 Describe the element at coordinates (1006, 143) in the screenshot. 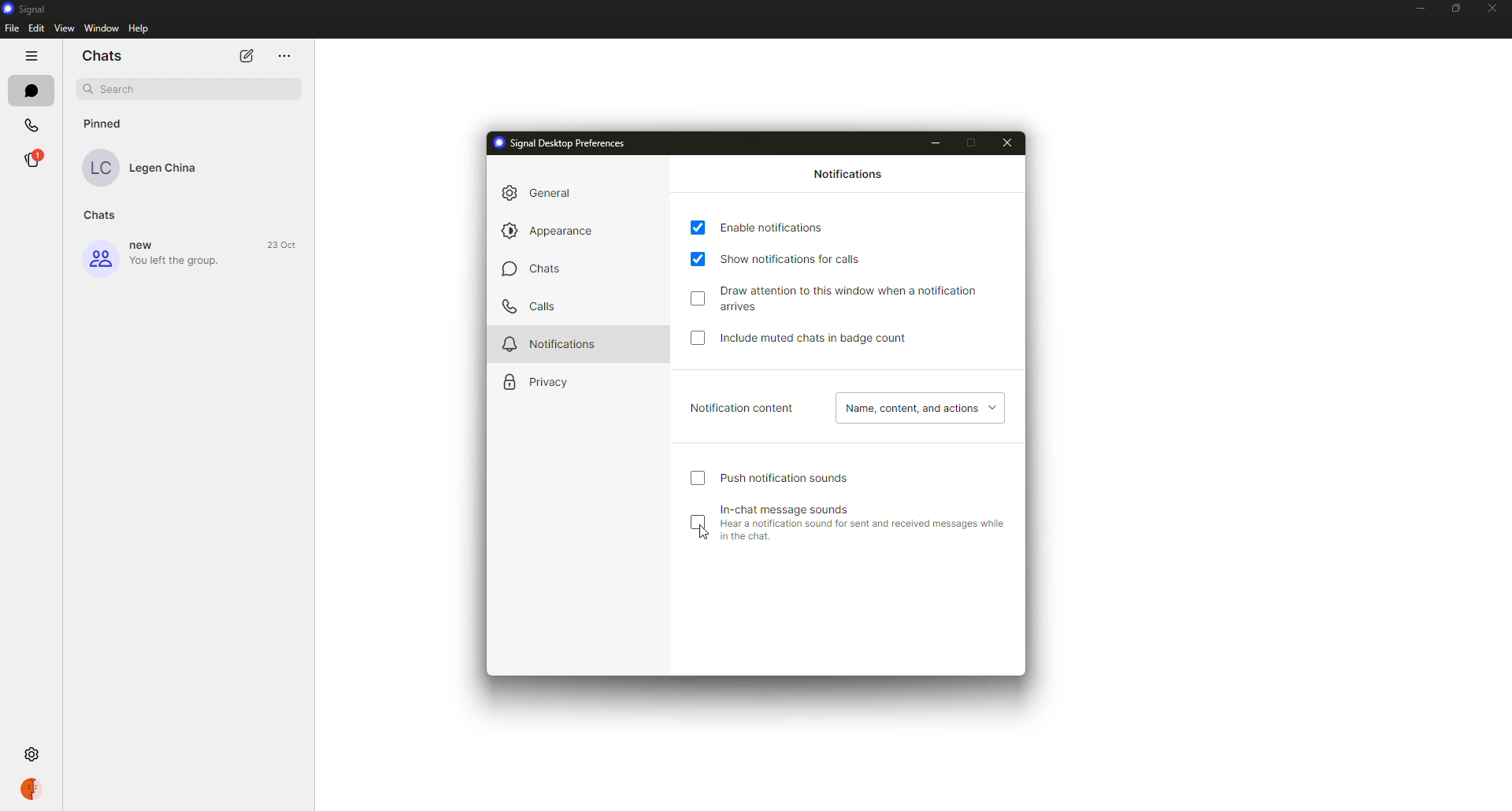

I see `close` at that location.